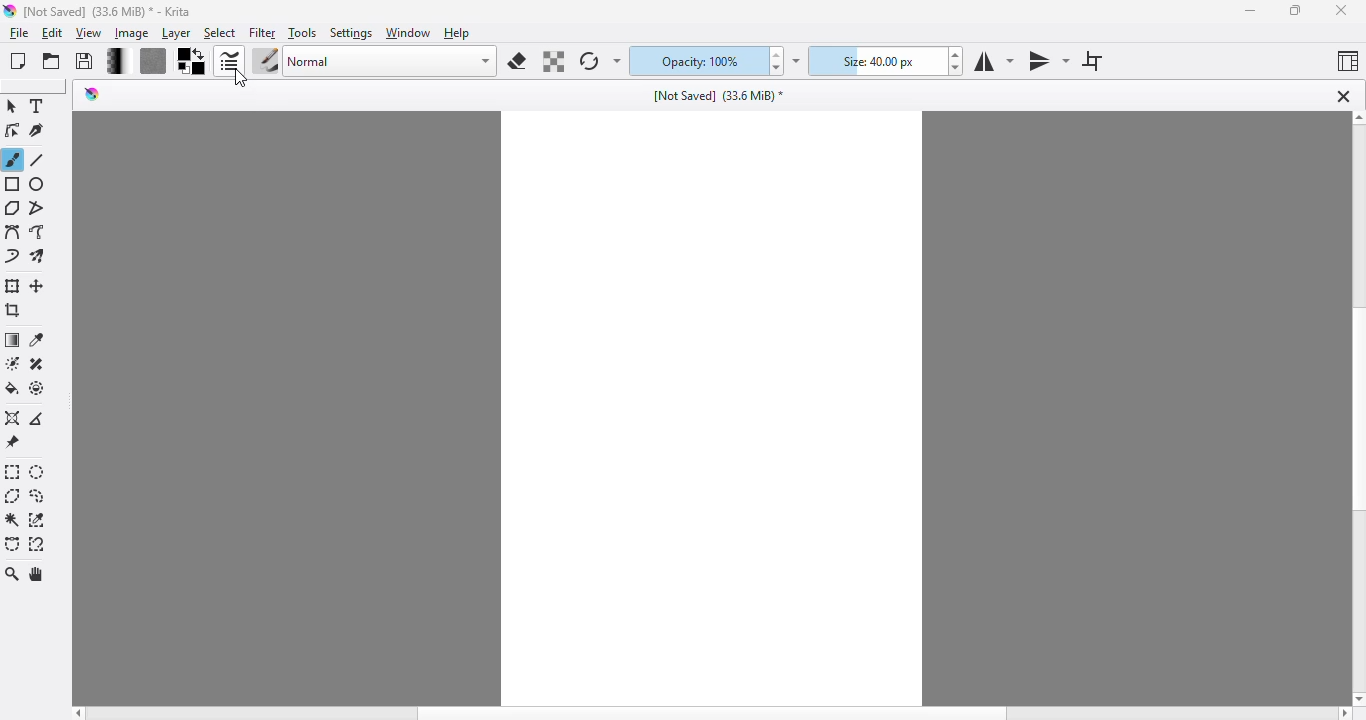  Describe the element at coordinates (303, 34) in the screenshot. I see `tools` at that location.